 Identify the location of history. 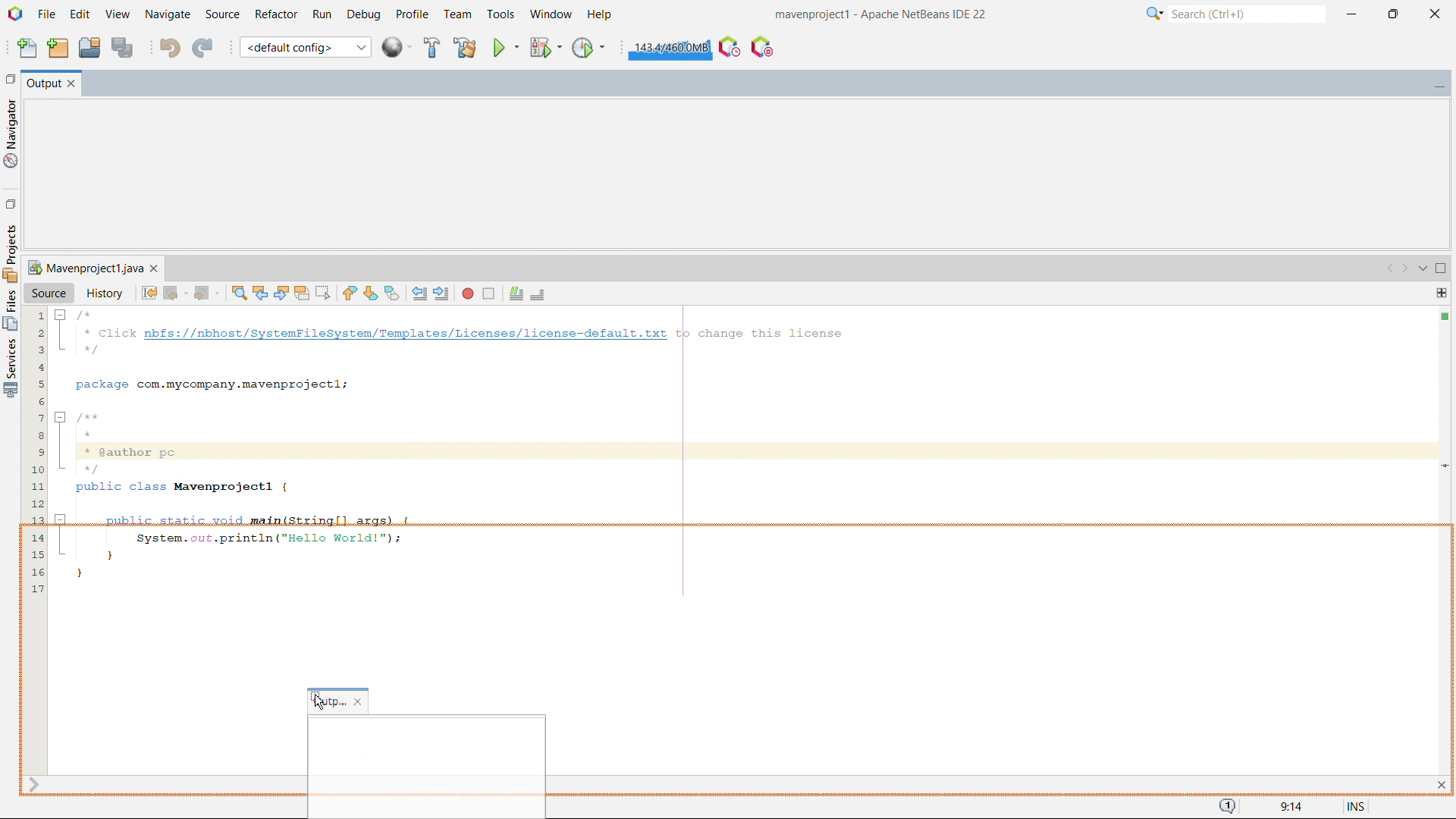
(105, 293).